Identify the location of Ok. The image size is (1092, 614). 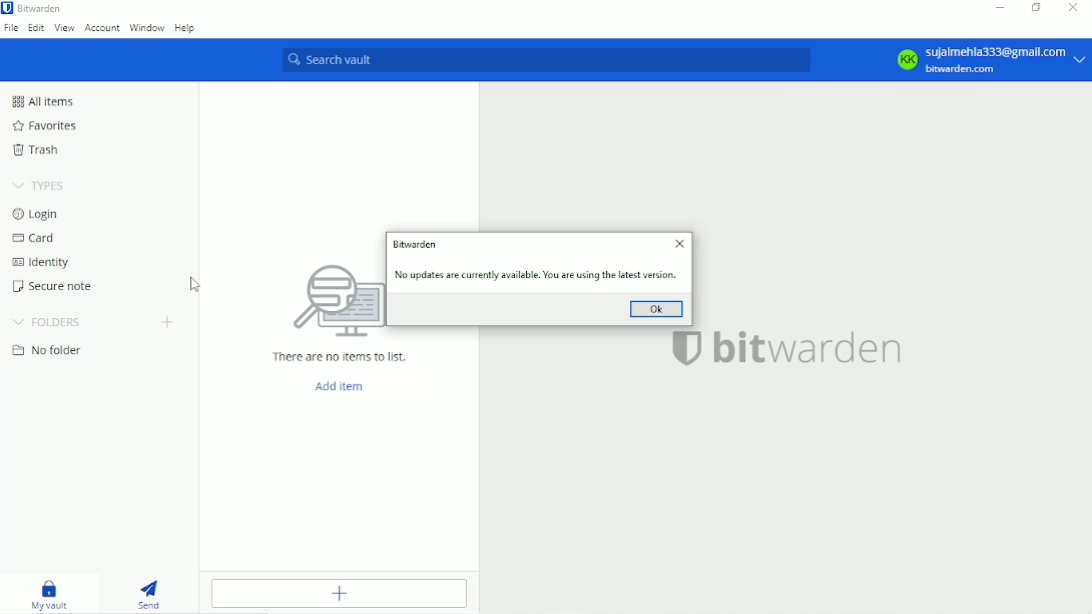
(660, 309).